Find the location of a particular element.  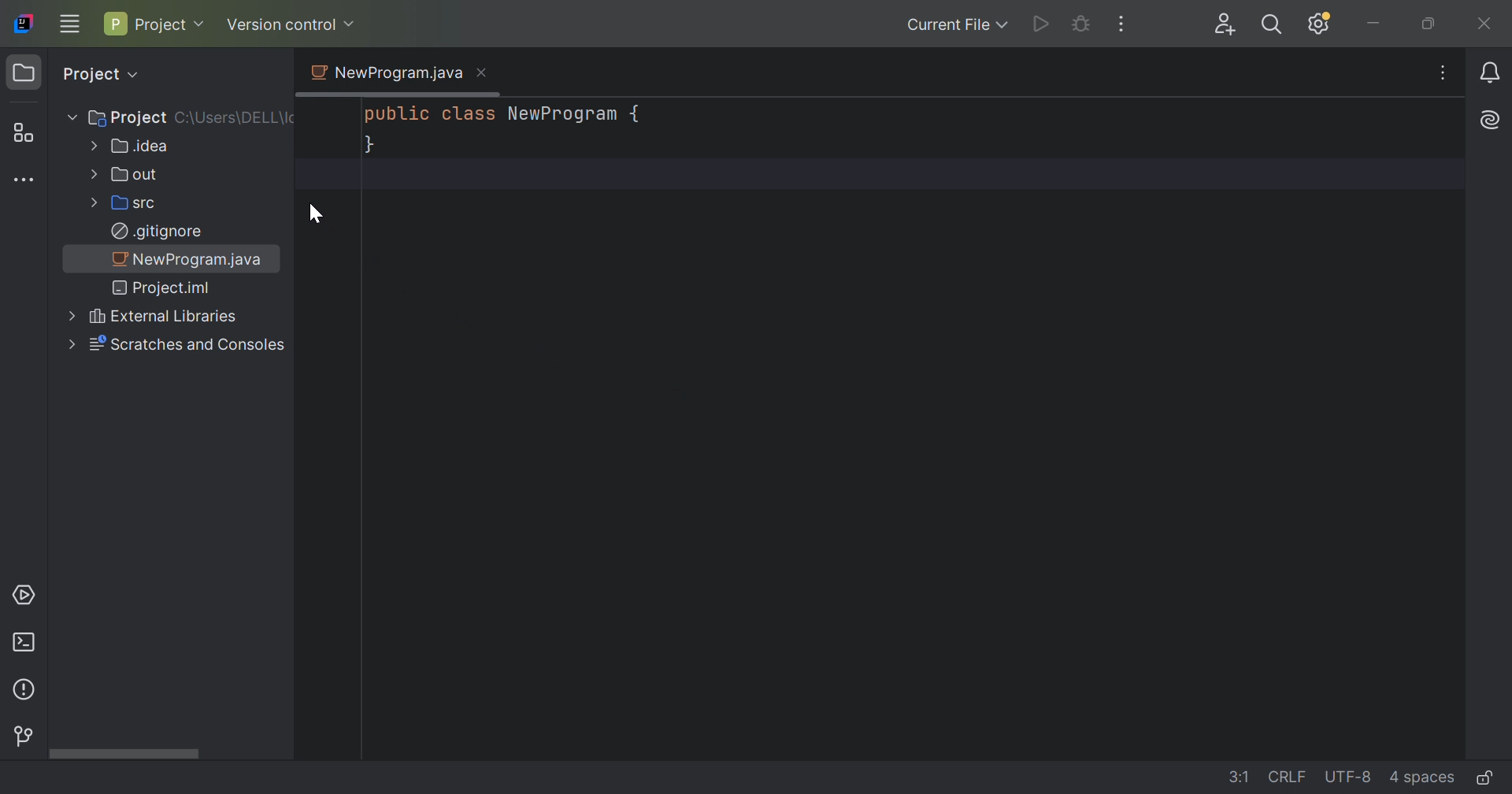

More tool windows is located at coordinates (24, 181).